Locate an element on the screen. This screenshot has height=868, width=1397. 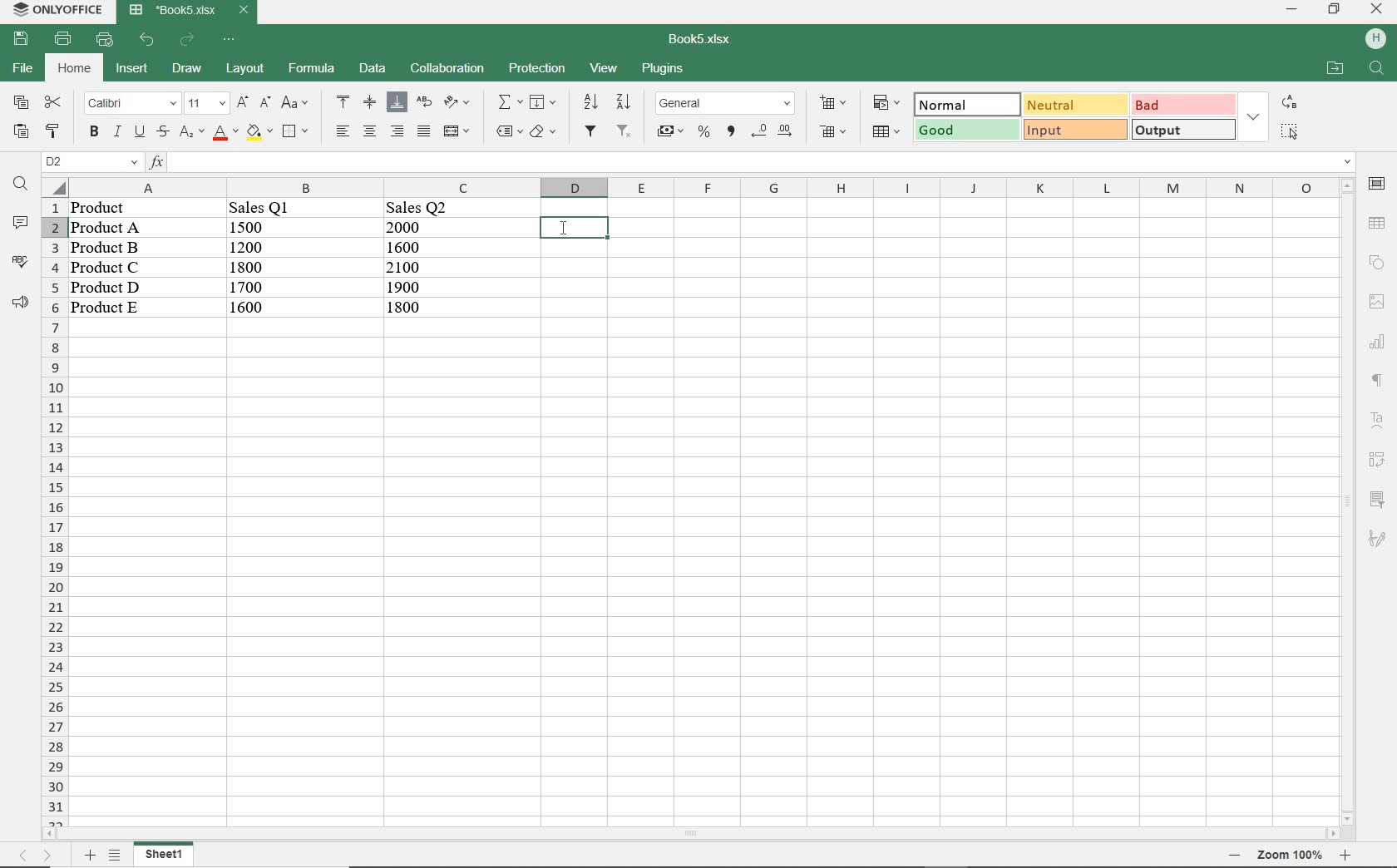
delete cells is located at coordinates (833, 131).